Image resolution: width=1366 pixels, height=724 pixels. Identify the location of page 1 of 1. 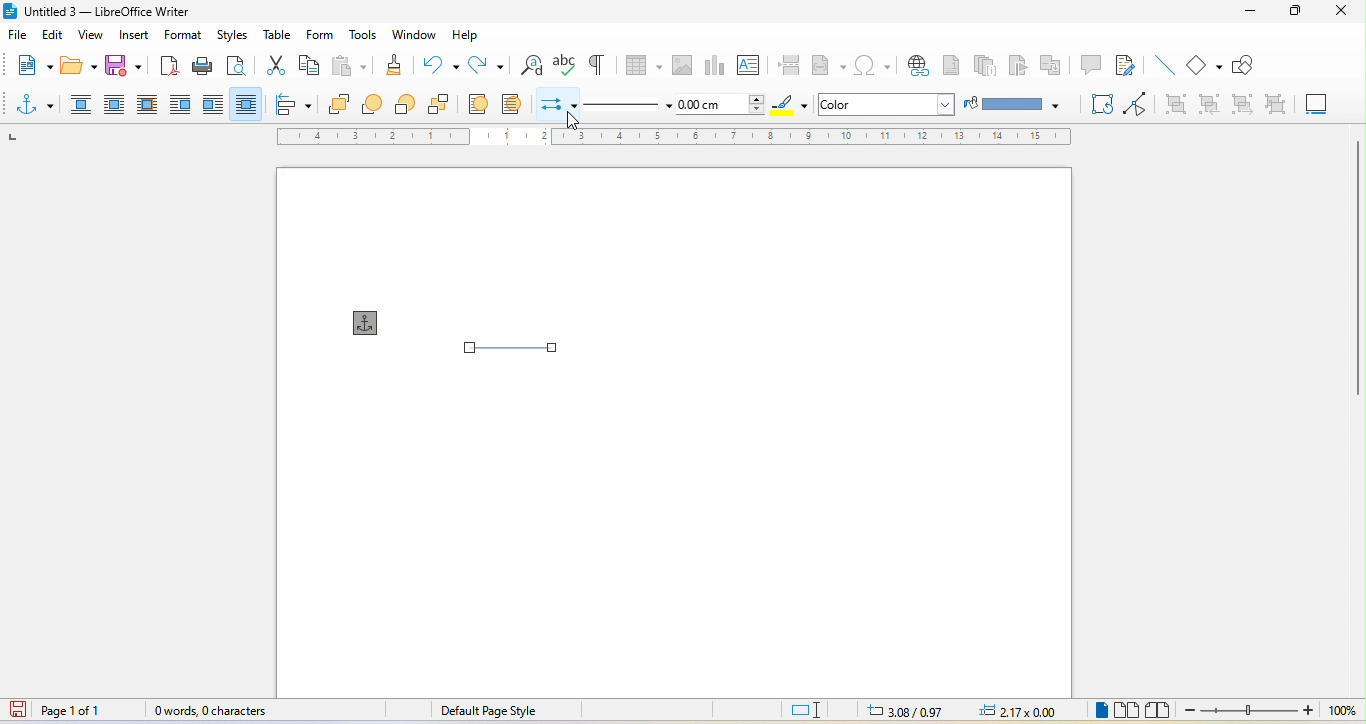
(88, 711).